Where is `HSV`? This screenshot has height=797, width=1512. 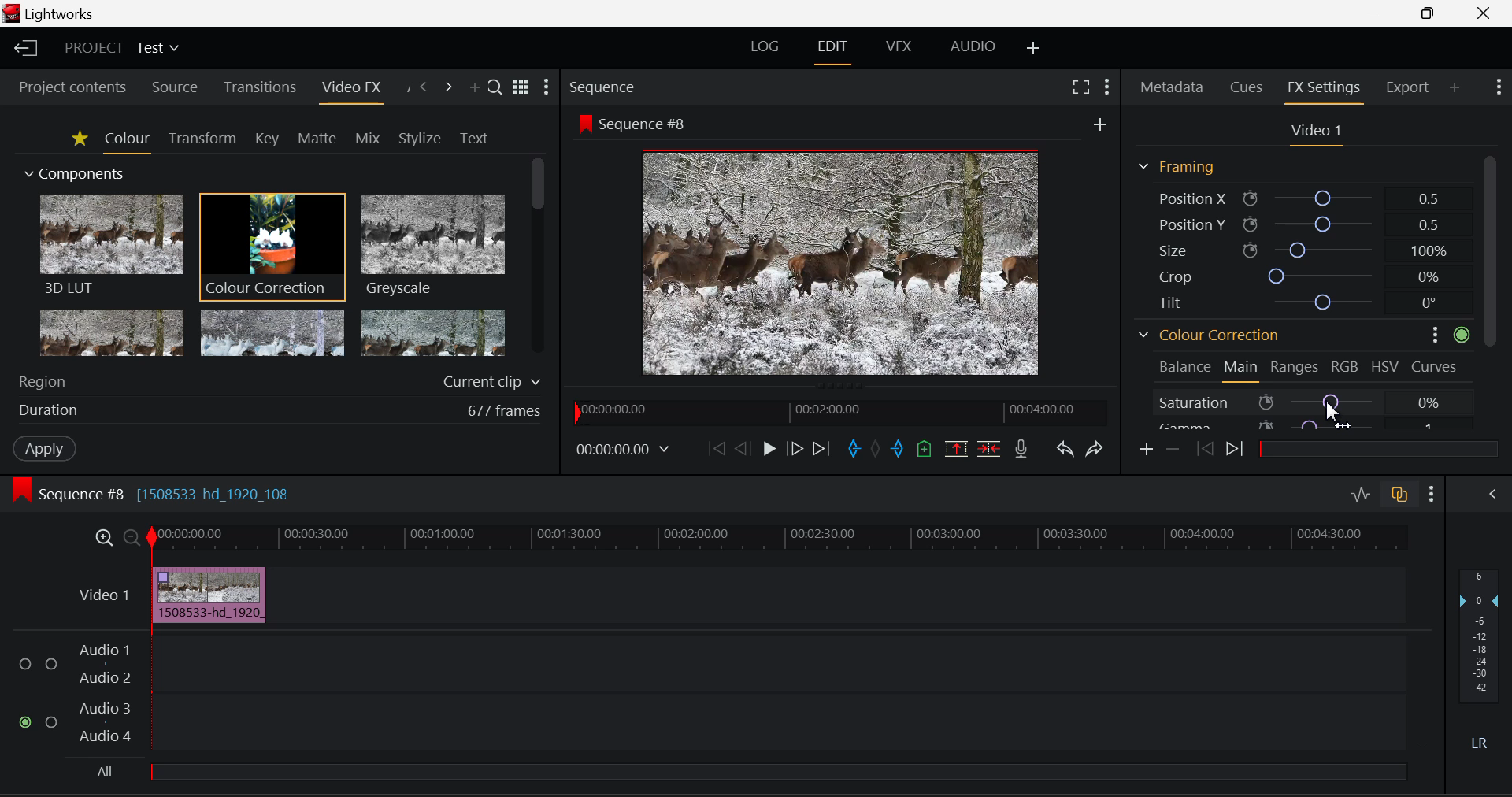 HSV is located at coordinates (1388, 366).